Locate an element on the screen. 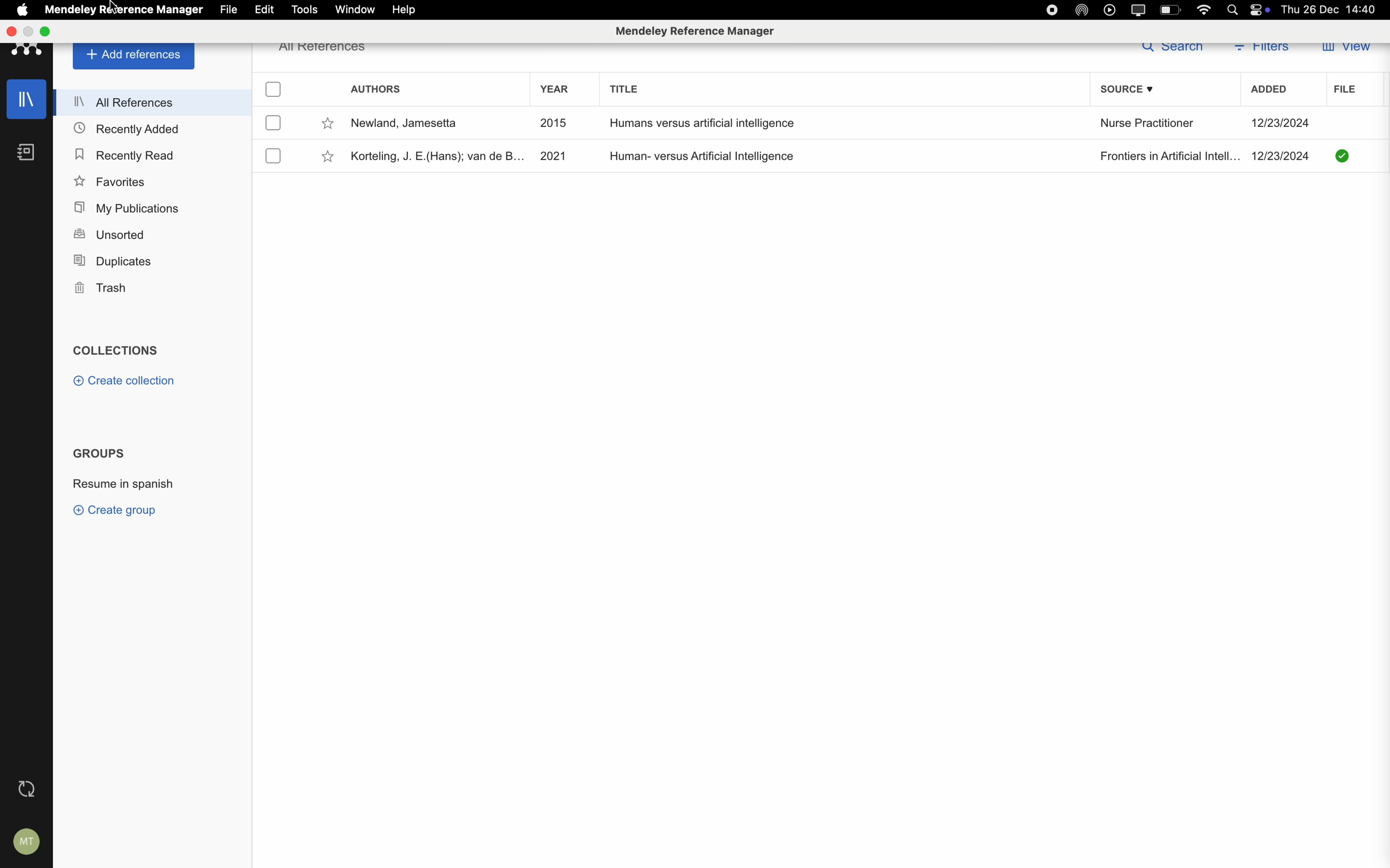 The image size is (1390, 868). wifi is located at coordinates (1206, 9).